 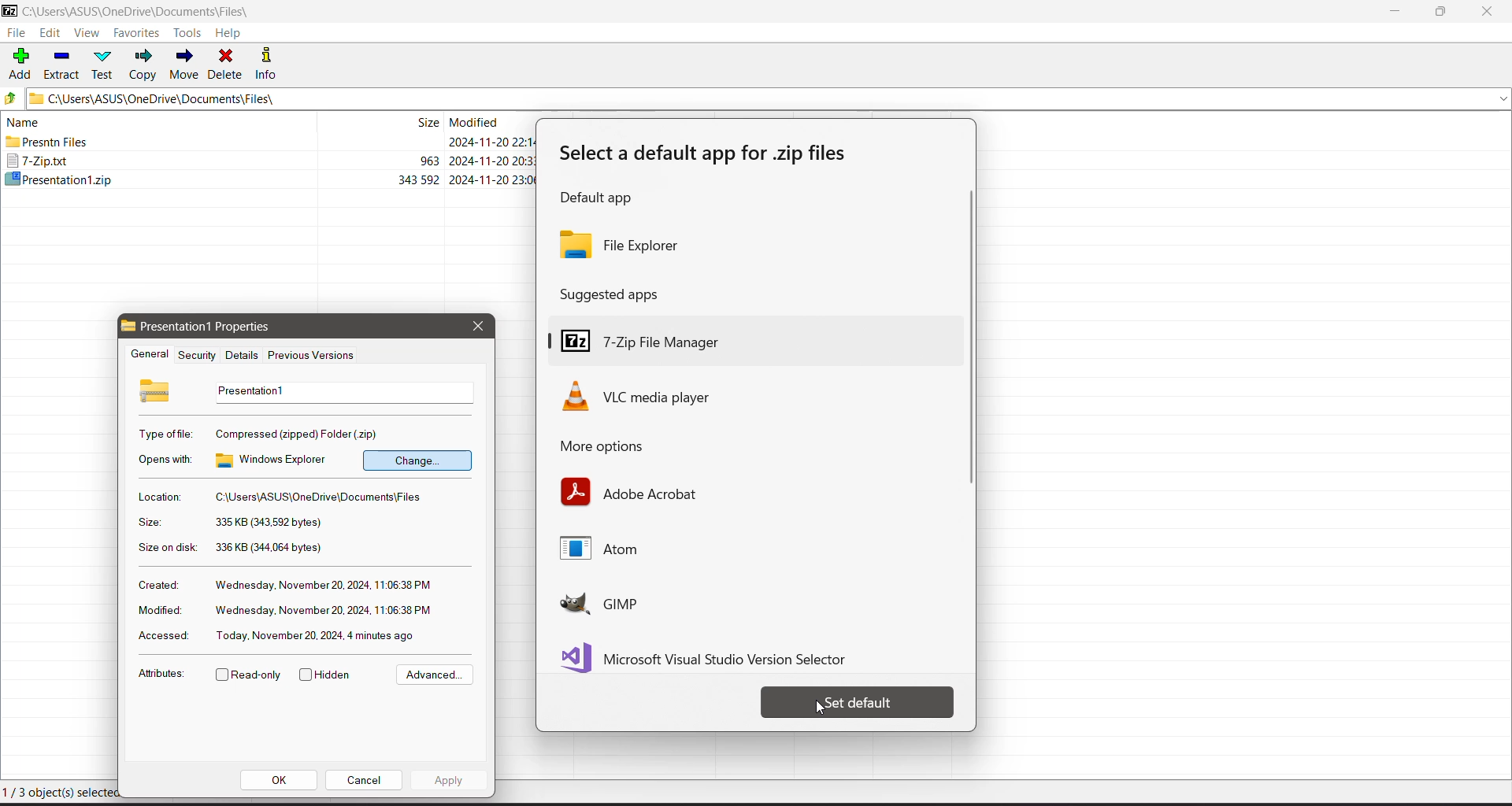 I want to click on Created Day, Date, Year and time of the selected file, so click(x=324, y=586).